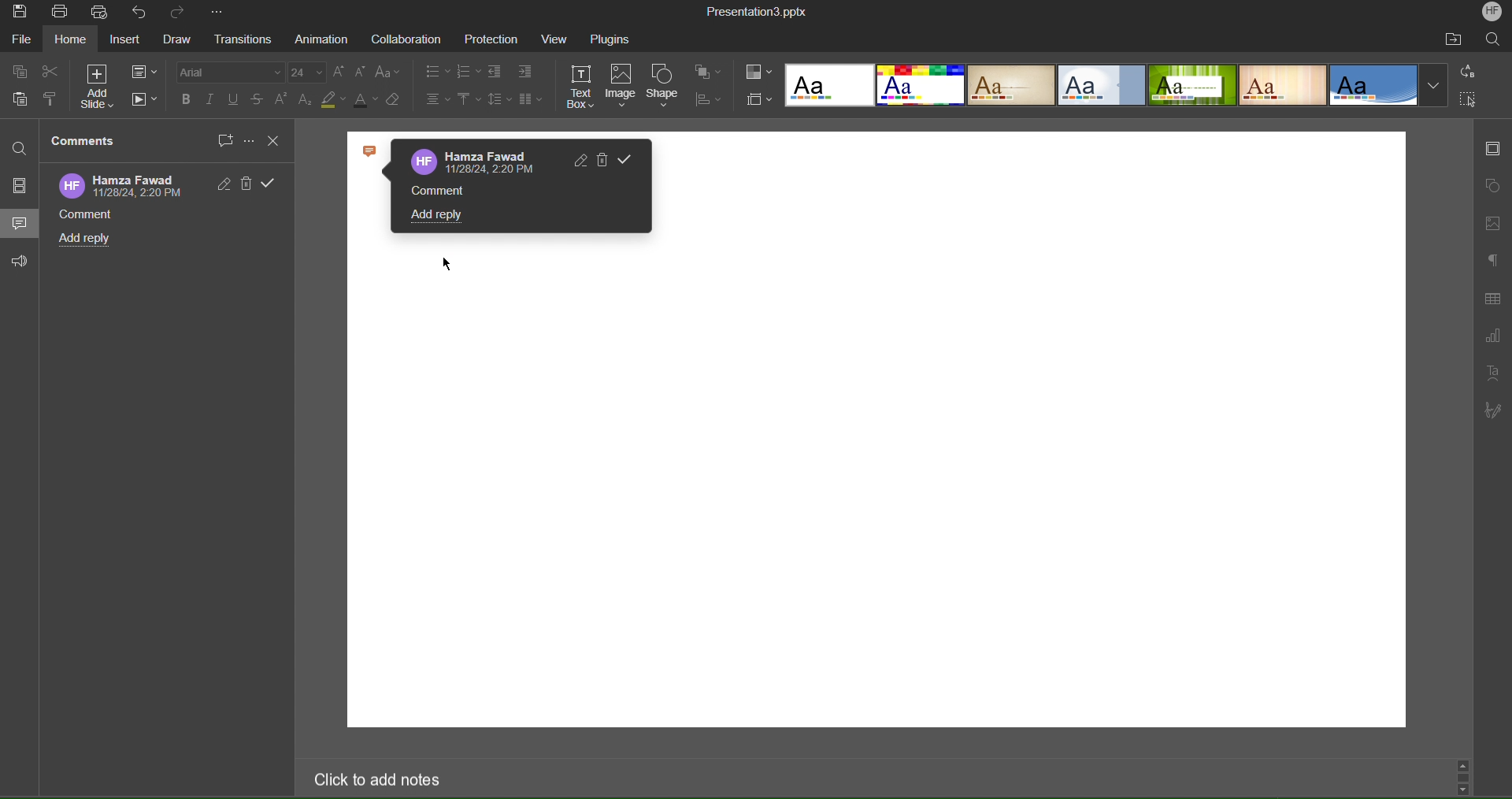  What do you see at coordinates (339, 73) in the screenshot?
I see `Increase size` at bounding box center [339, 73].